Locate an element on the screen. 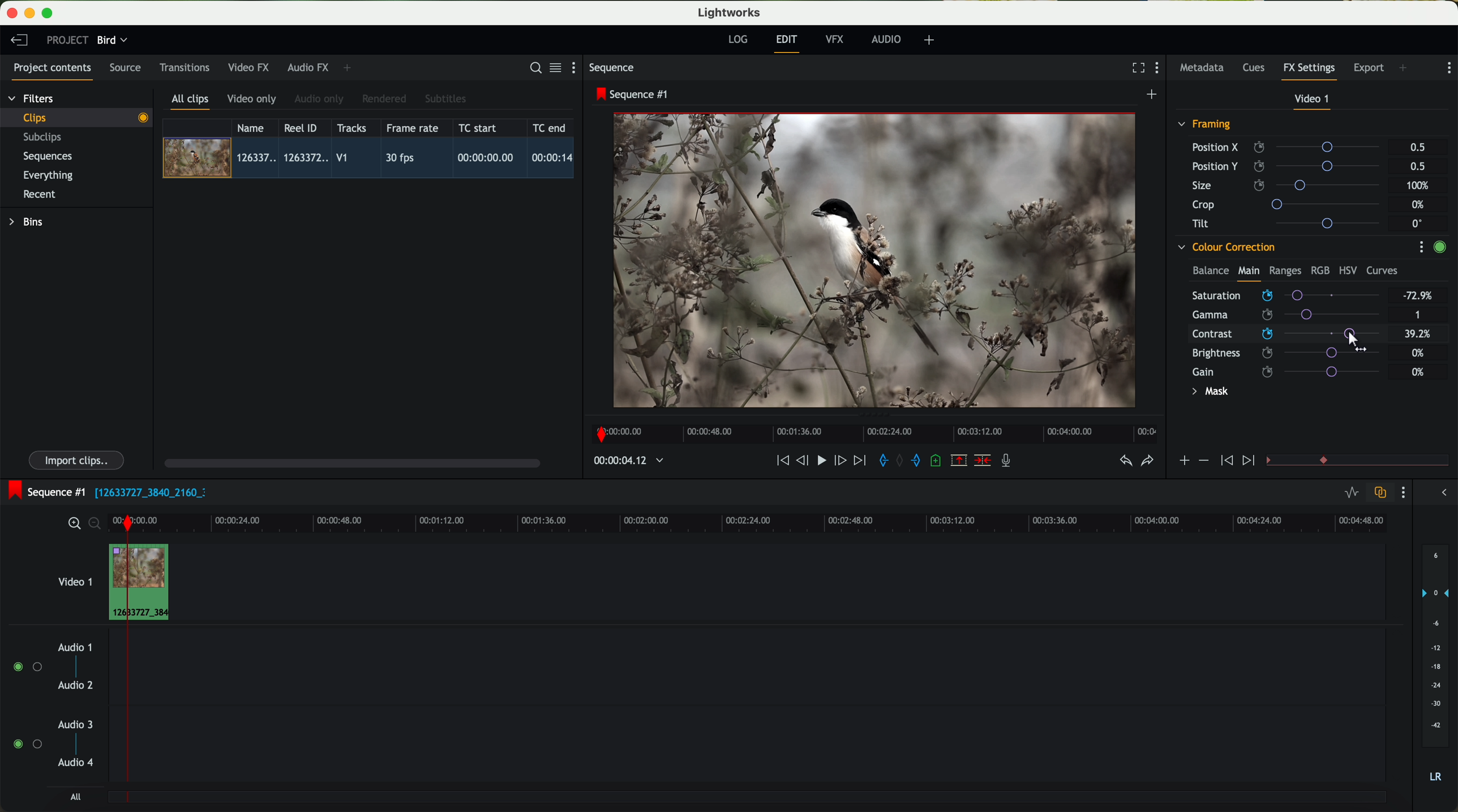  gain is located at coordinates (1293, 371).